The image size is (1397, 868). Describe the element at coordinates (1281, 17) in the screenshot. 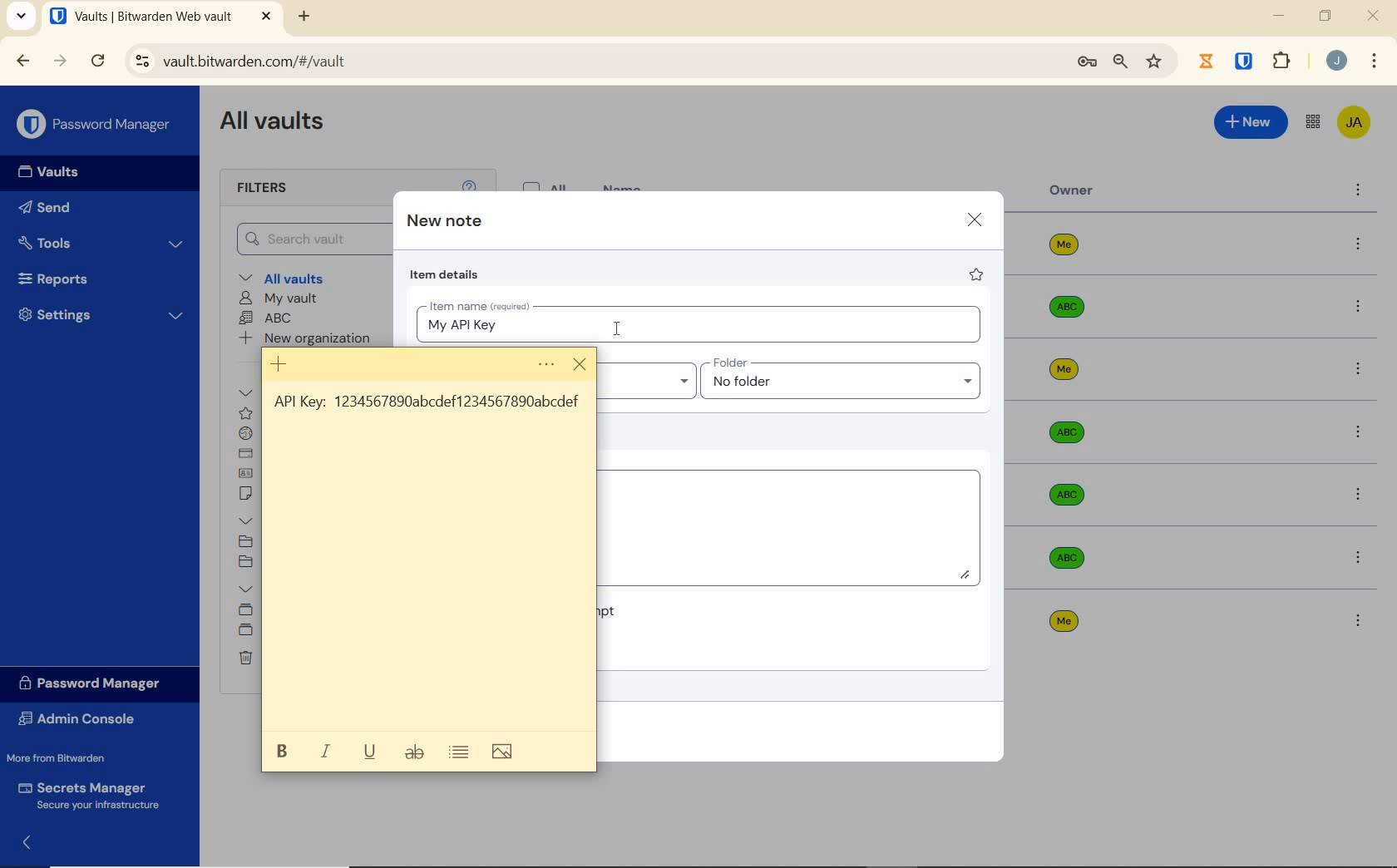

I see `MINIMIZE` at that location.